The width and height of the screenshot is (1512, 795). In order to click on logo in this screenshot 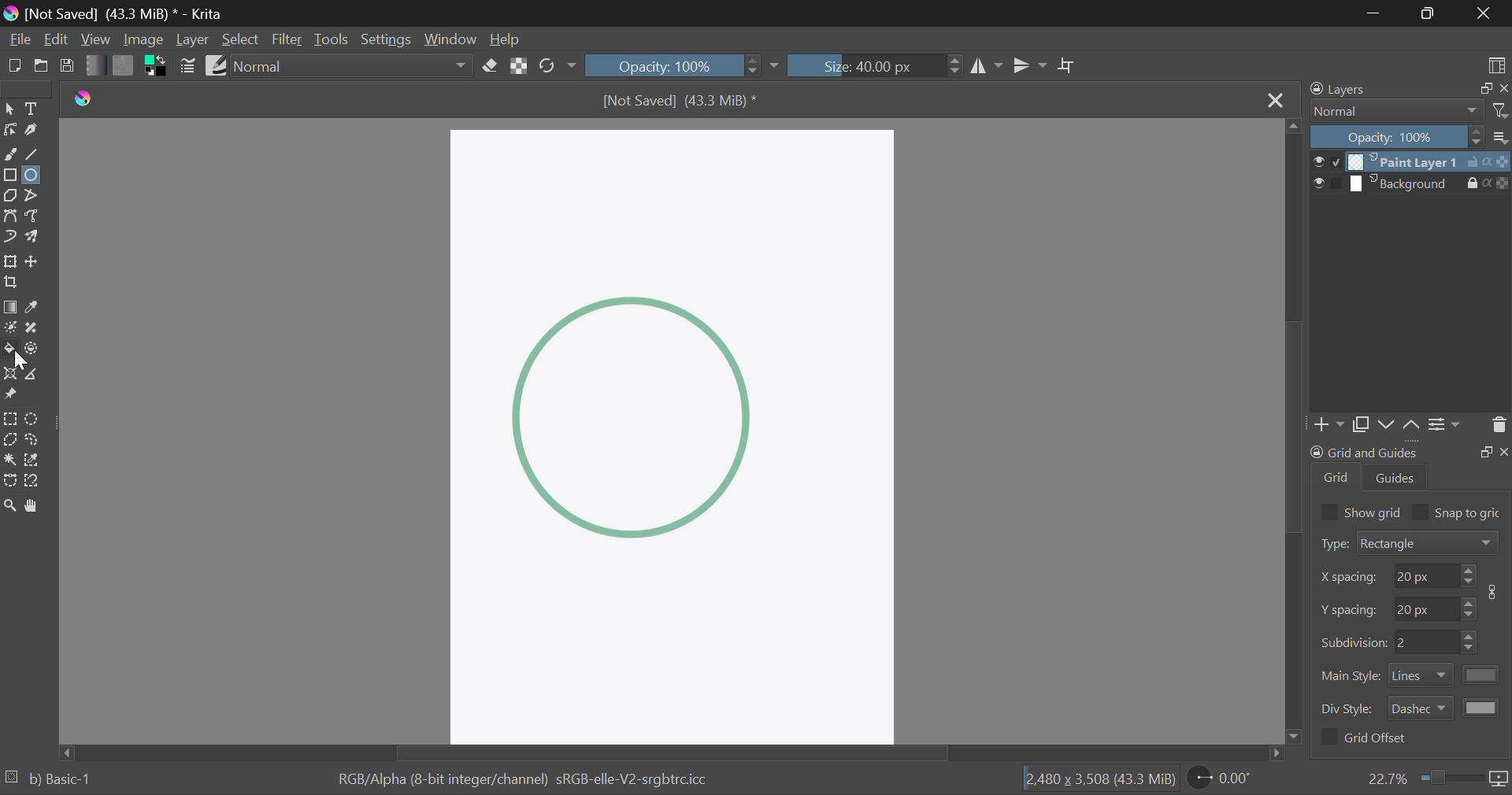, I will do `click(88, 97)`.